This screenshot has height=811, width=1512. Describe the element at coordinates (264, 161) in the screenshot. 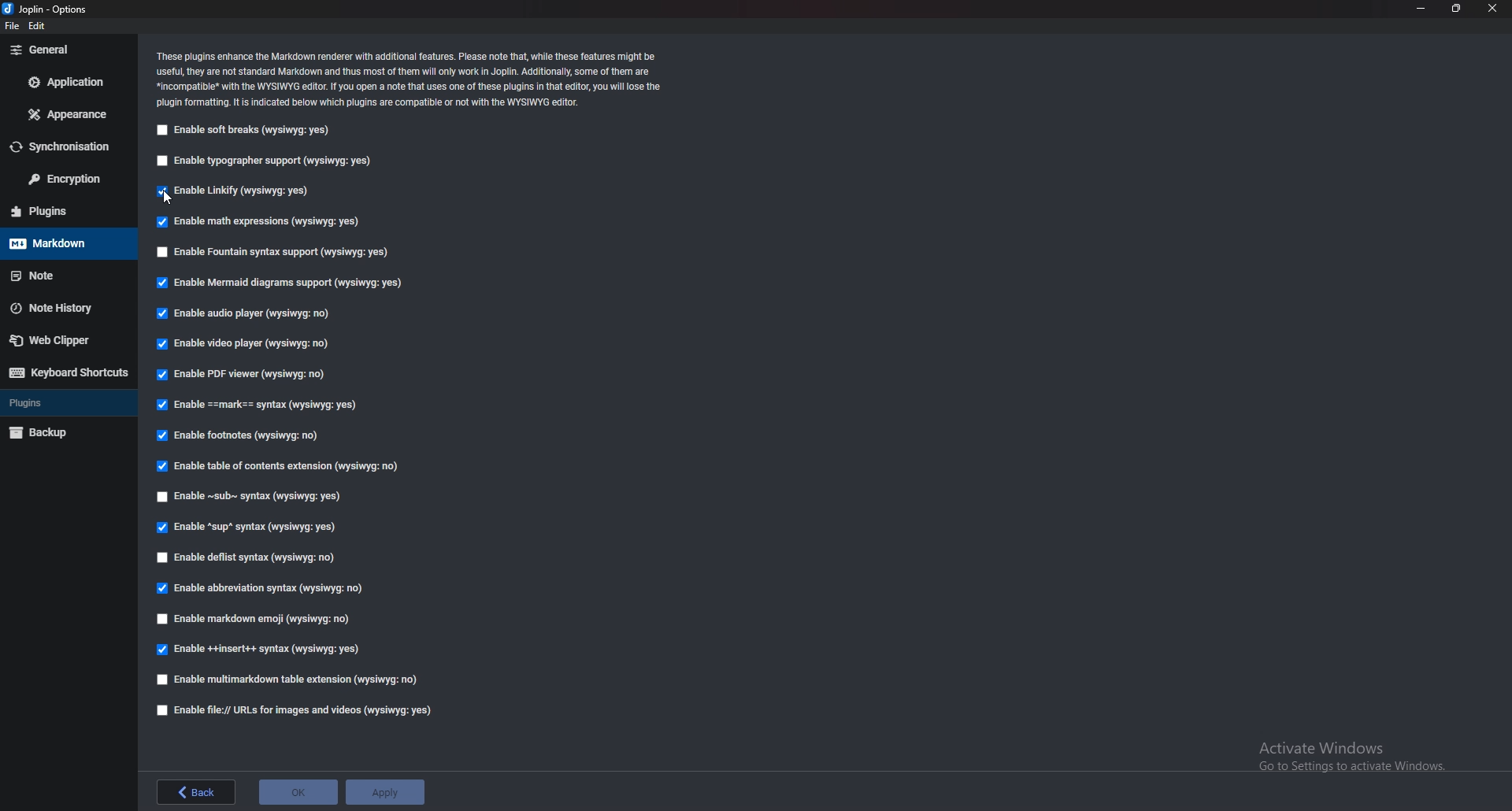

I see `Enable typographer support` at that location.